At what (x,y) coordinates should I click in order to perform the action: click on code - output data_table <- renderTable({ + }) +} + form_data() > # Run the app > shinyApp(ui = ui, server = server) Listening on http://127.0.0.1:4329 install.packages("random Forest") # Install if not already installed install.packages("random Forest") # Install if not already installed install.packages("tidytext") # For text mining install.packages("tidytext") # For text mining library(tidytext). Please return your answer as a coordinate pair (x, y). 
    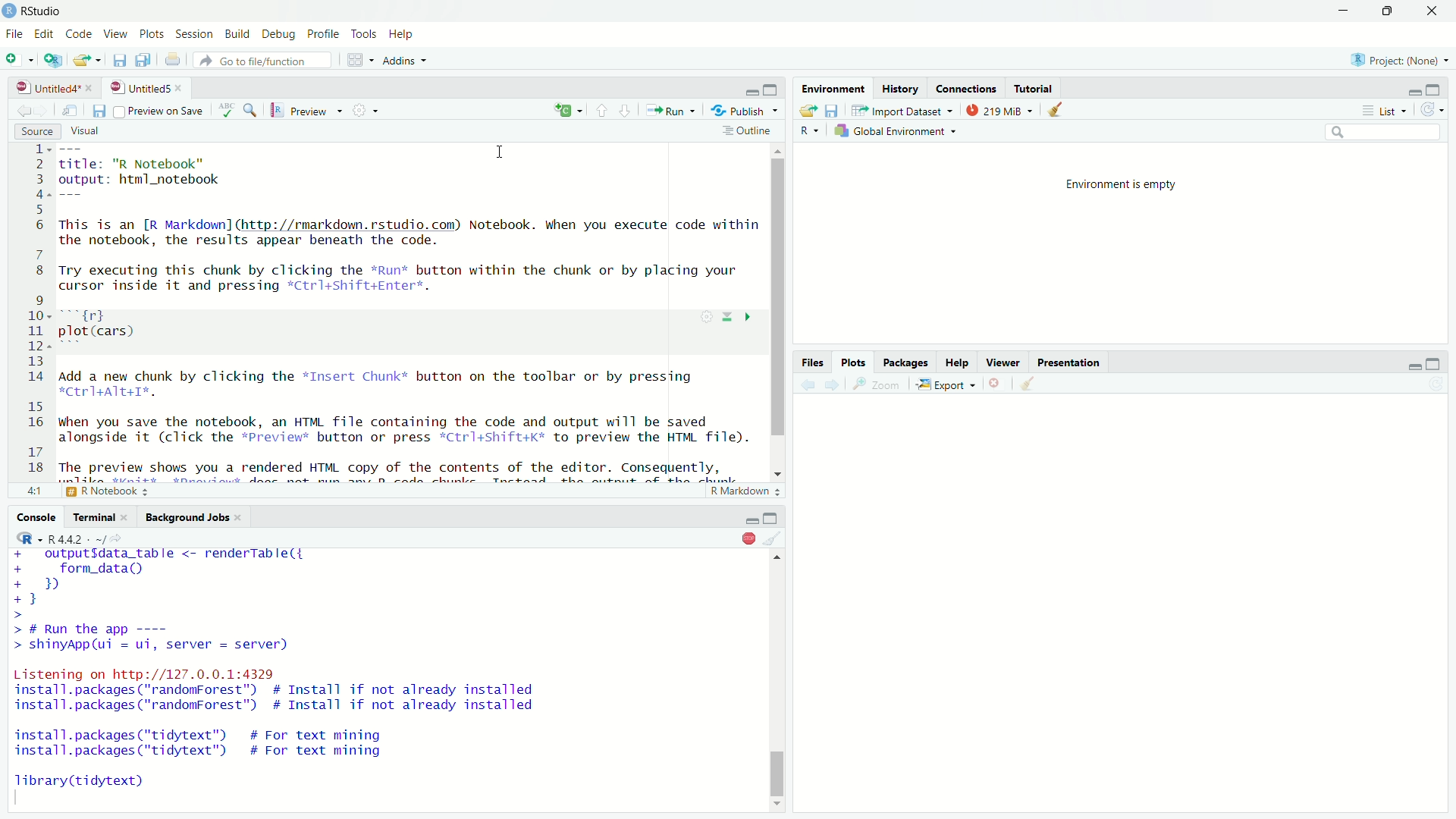
    Looking at the image, I should click on (297, 673).